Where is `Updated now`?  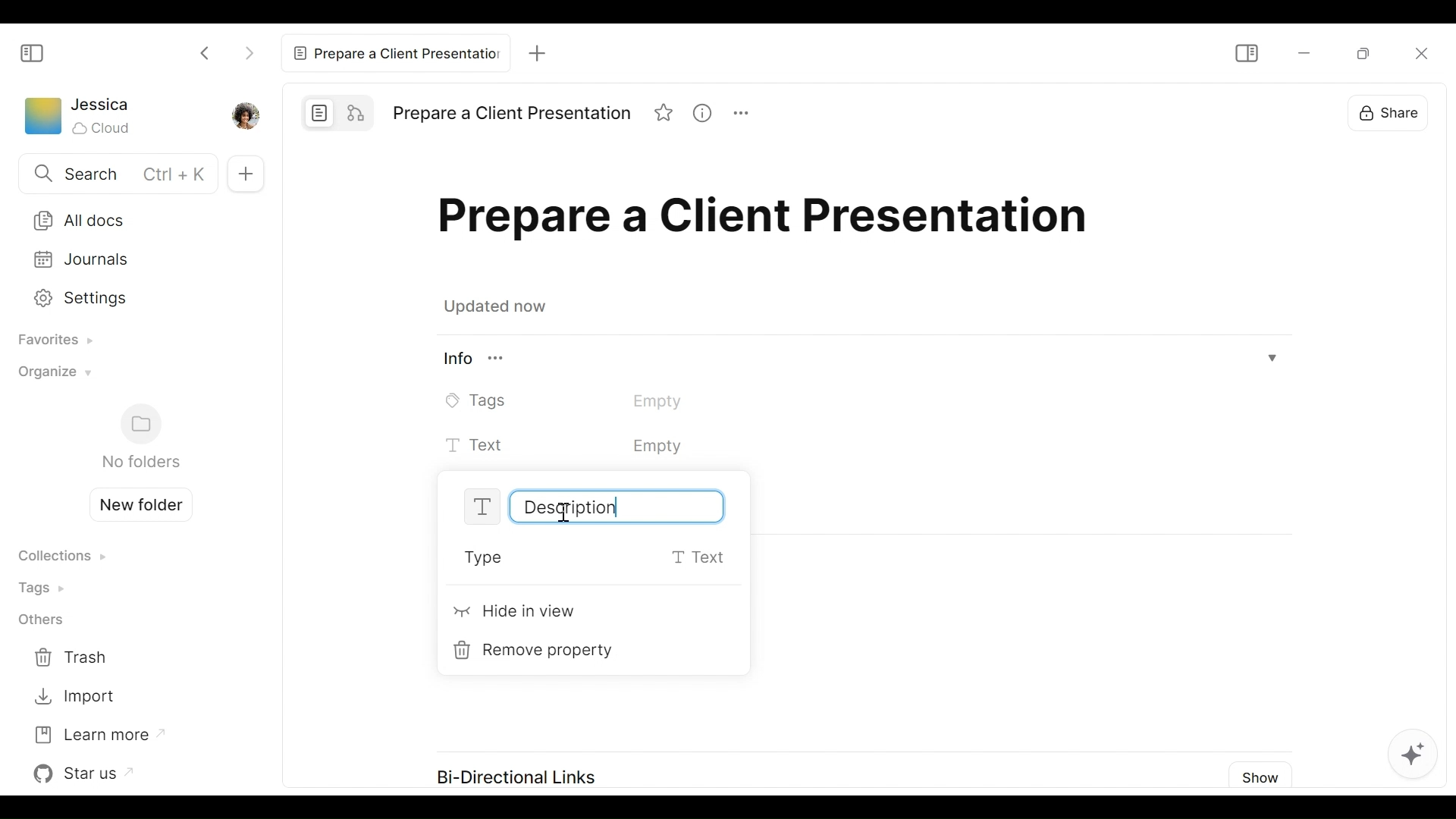
Updated now is located at coordinates (499, 309).